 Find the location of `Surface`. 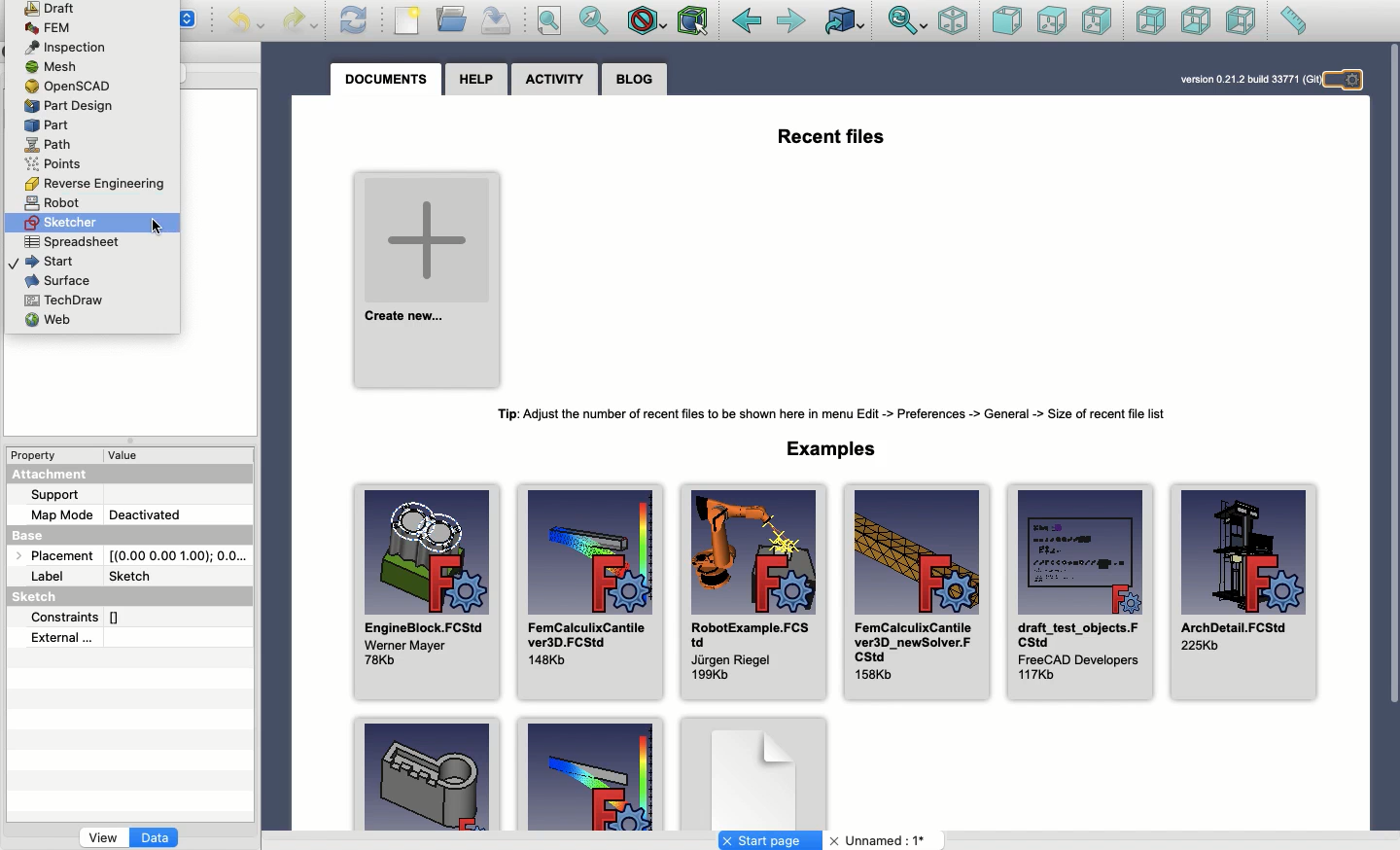

Surface is located at coordinates (56, 281).